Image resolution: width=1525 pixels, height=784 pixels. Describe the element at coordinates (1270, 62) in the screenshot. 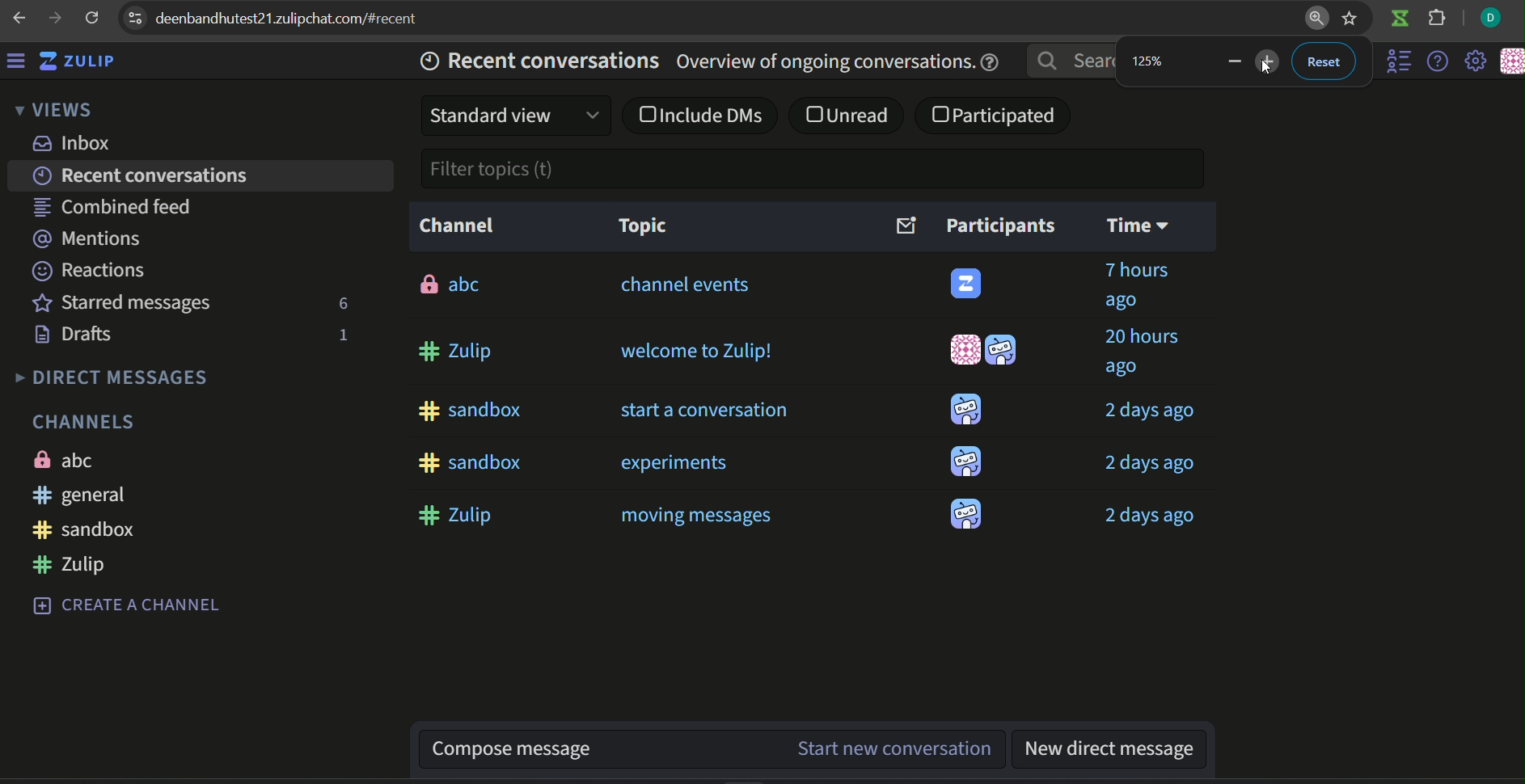

I see `zoom out` at that location.